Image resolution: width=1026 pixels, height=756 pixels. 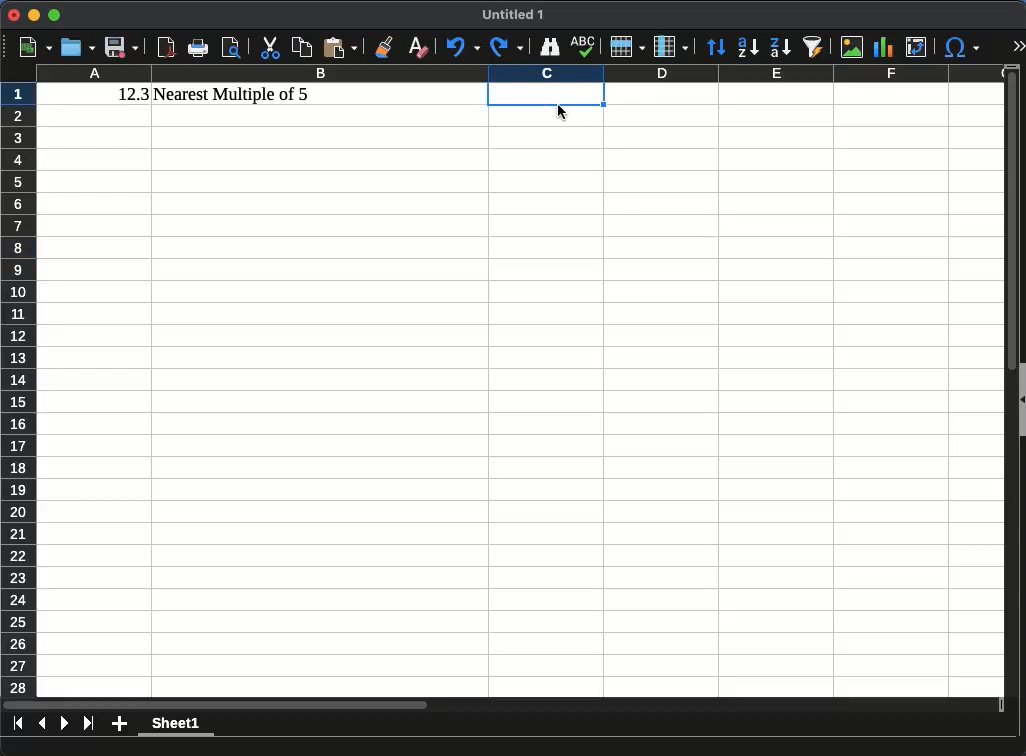 I want to click on clone formatting, so click(x=383, y=47).